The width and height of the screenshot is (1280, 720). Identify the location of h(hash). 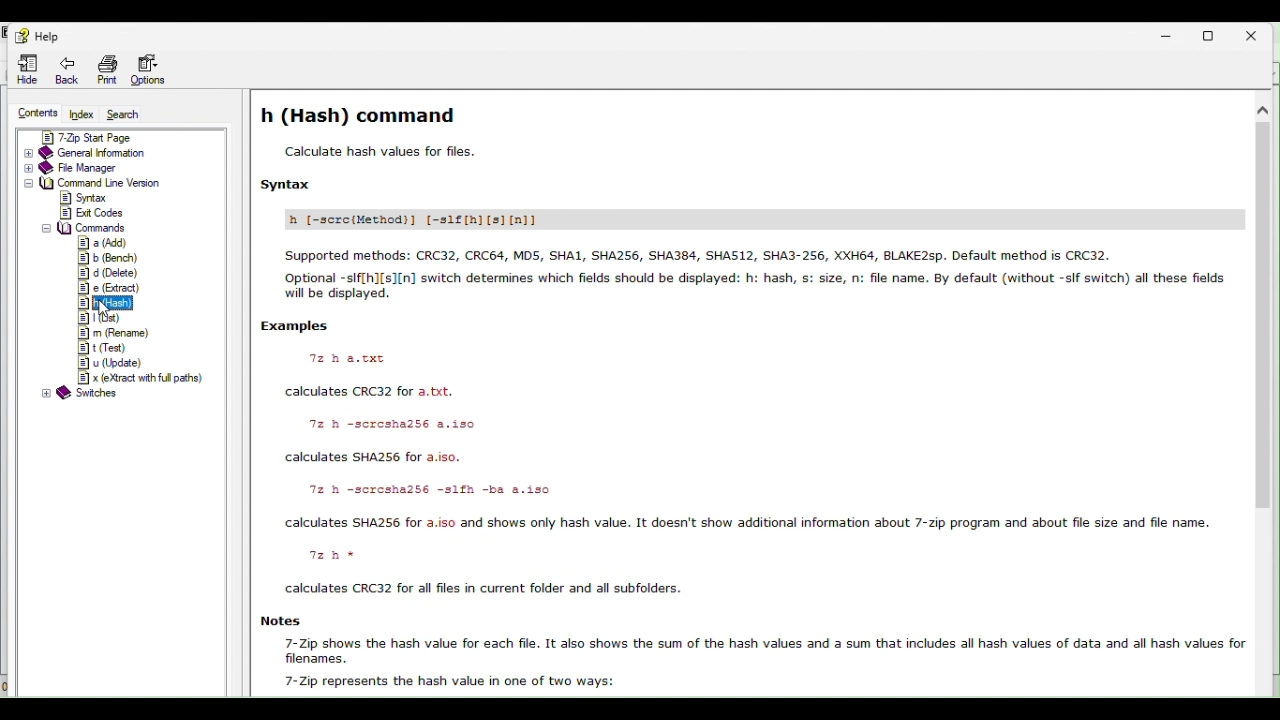
(108, 303).